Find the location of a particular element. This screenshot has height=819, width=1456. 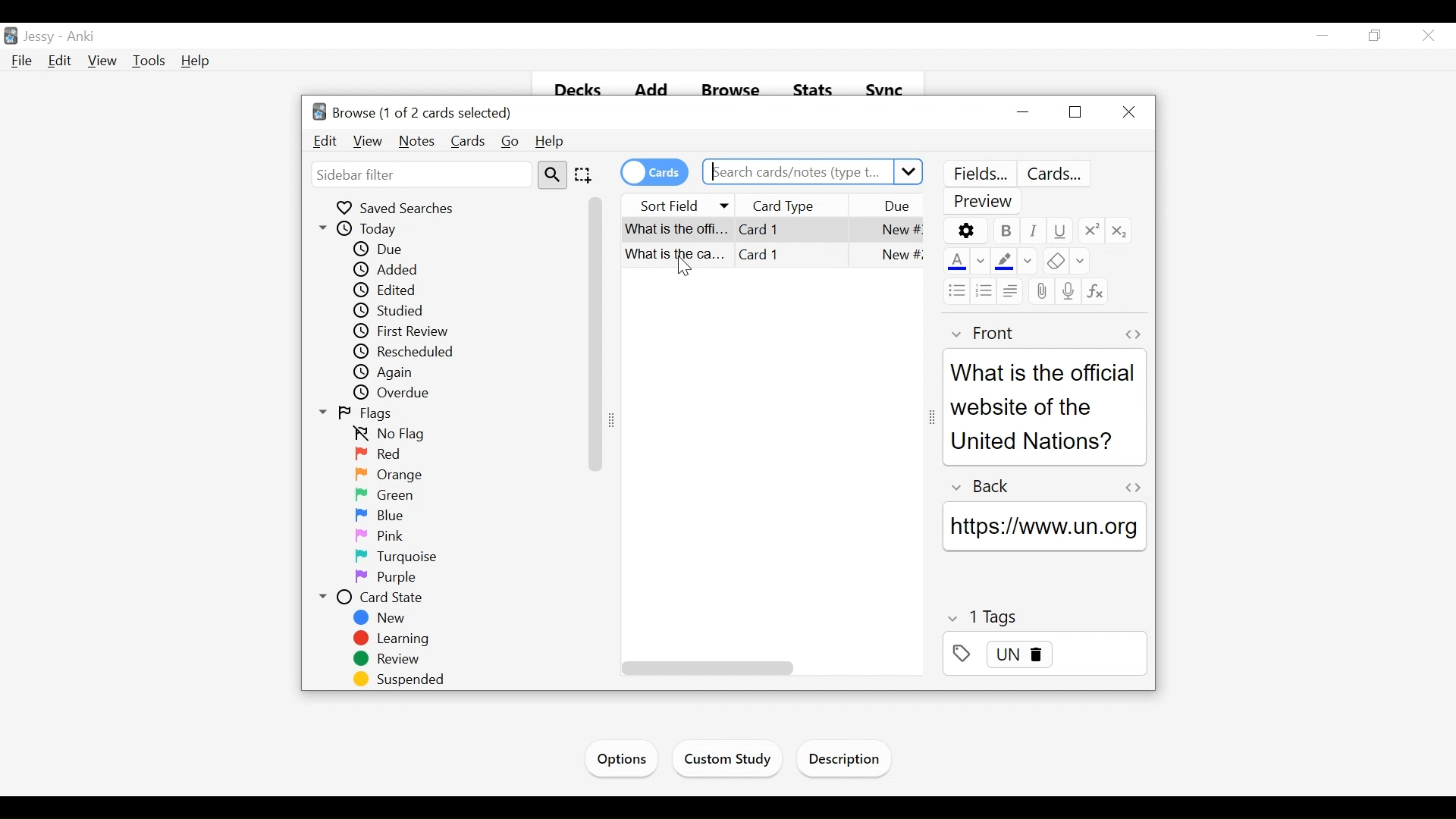

Added is located at coordinates (391, 269).